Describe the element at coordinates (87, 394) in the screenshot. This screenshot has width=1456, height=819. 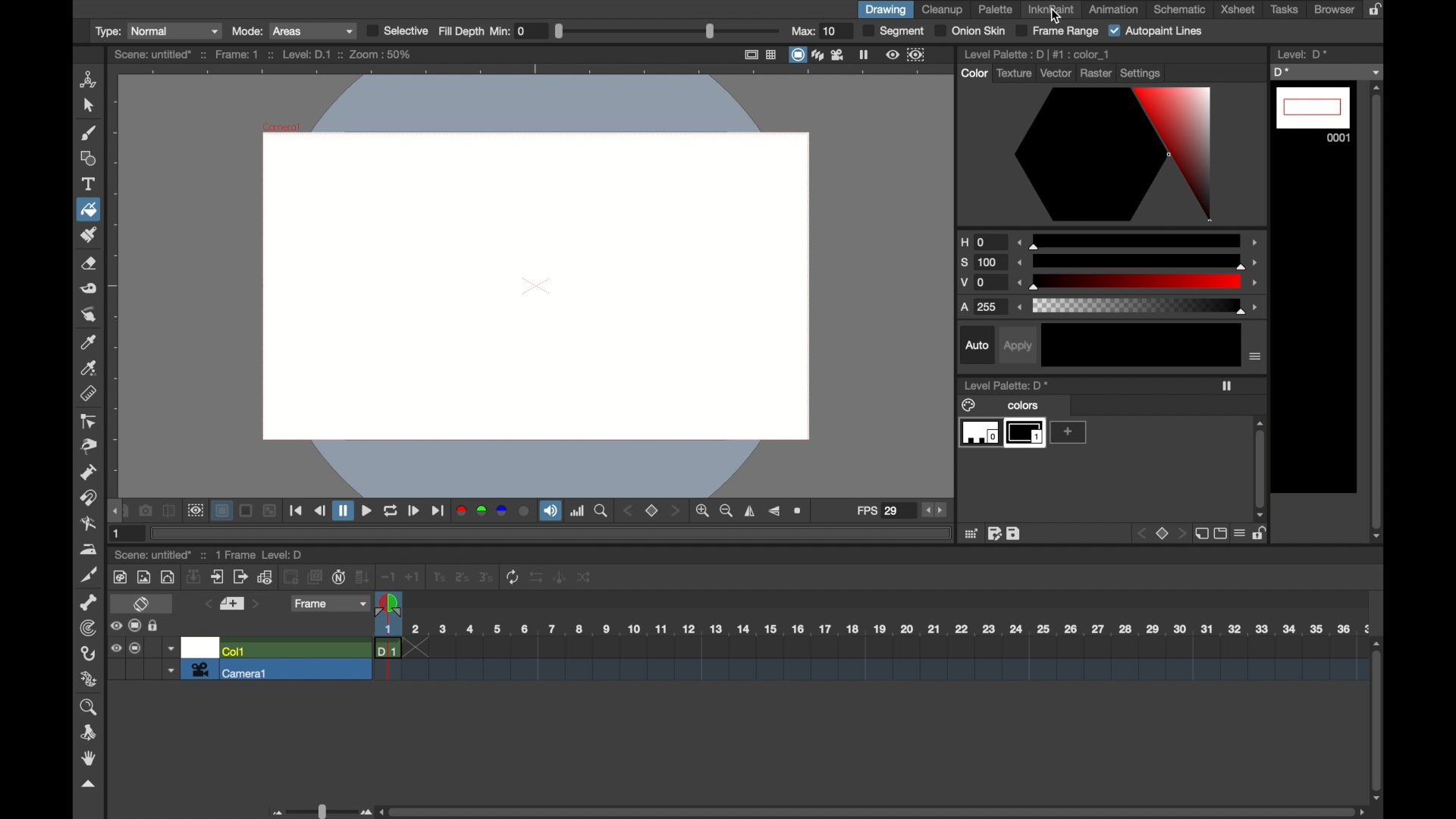
I see `ruler tool` at that location.